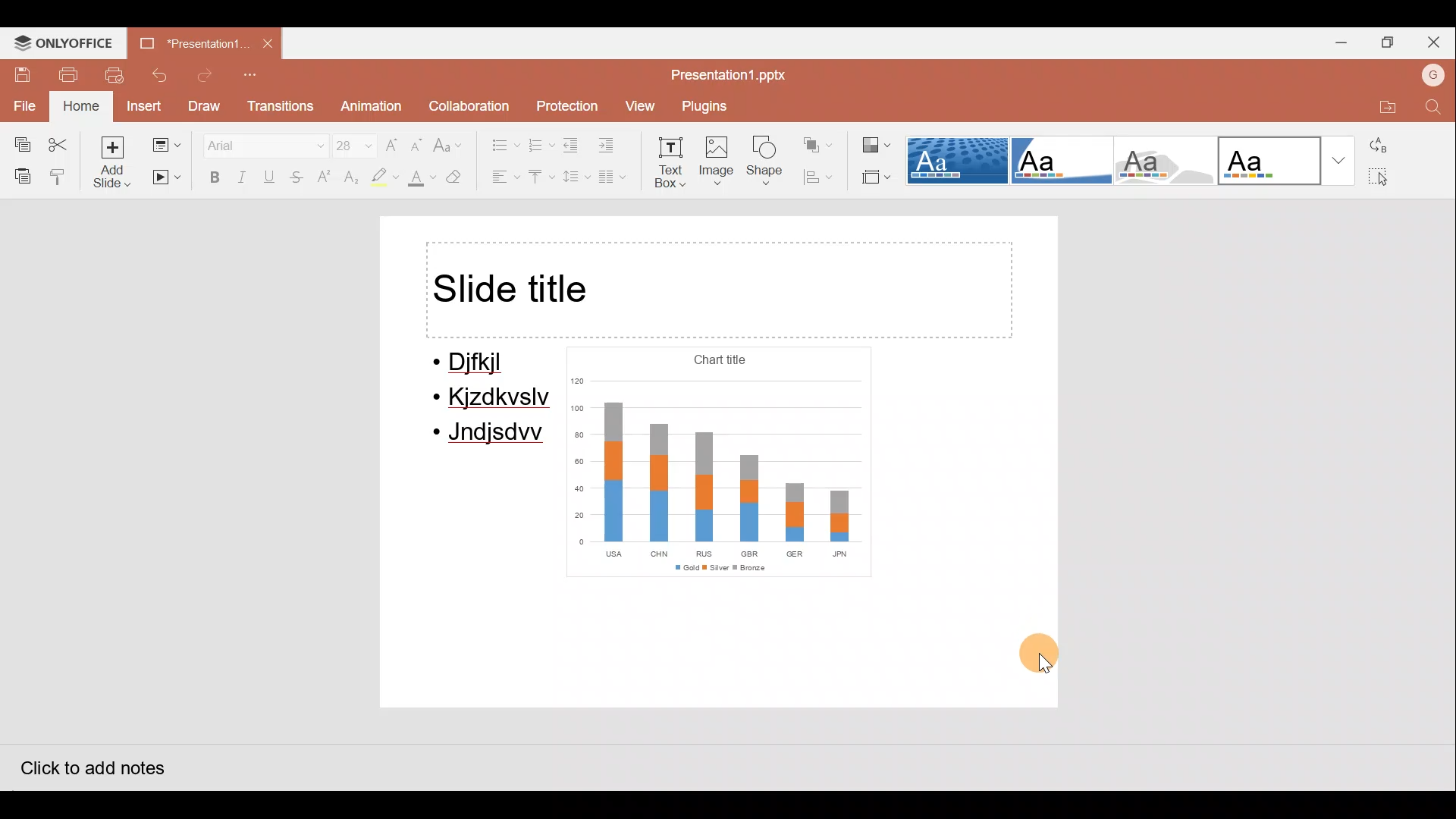 The height and width of the screenshot is (819, 1456). I want to click on Change colour theme, so click(874, 146).